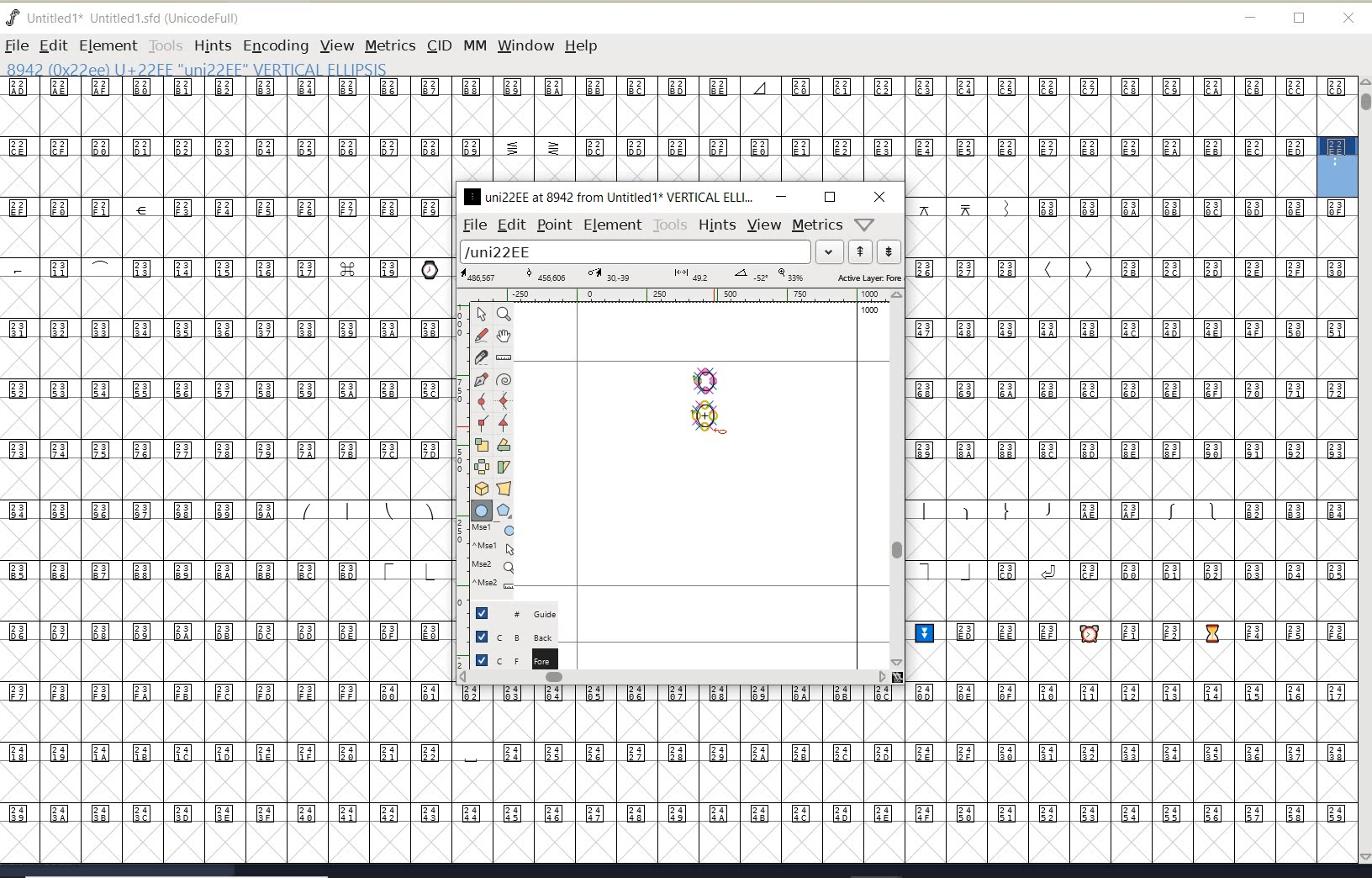 This screenshot has height=878, width=1372. I want to click on ENCODING, so click(276, 46).